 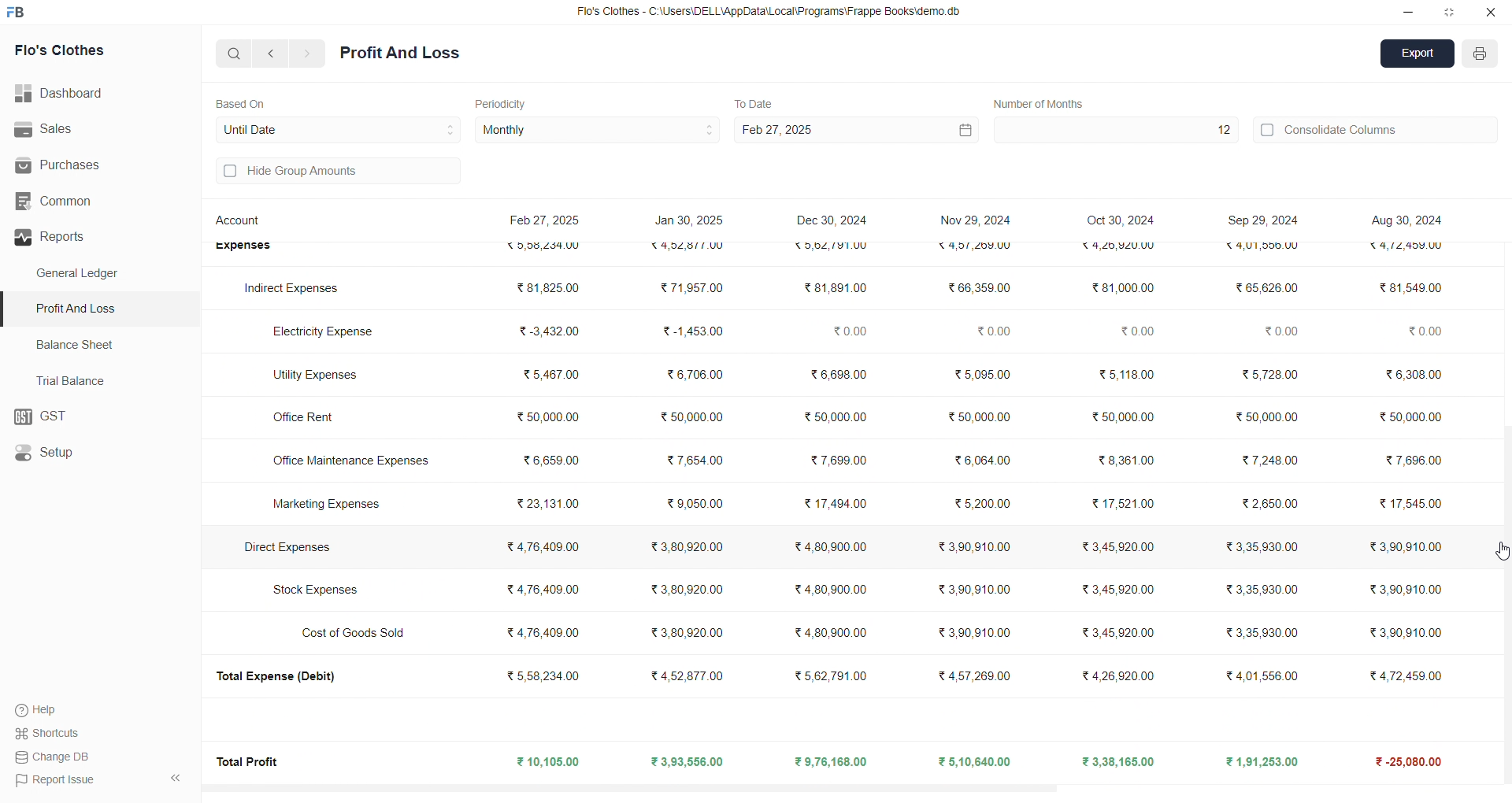 What do you see at coordinates (293, 289) in the screenshot?
I see `Indirect Expenses` at bounding box center [293, 289].